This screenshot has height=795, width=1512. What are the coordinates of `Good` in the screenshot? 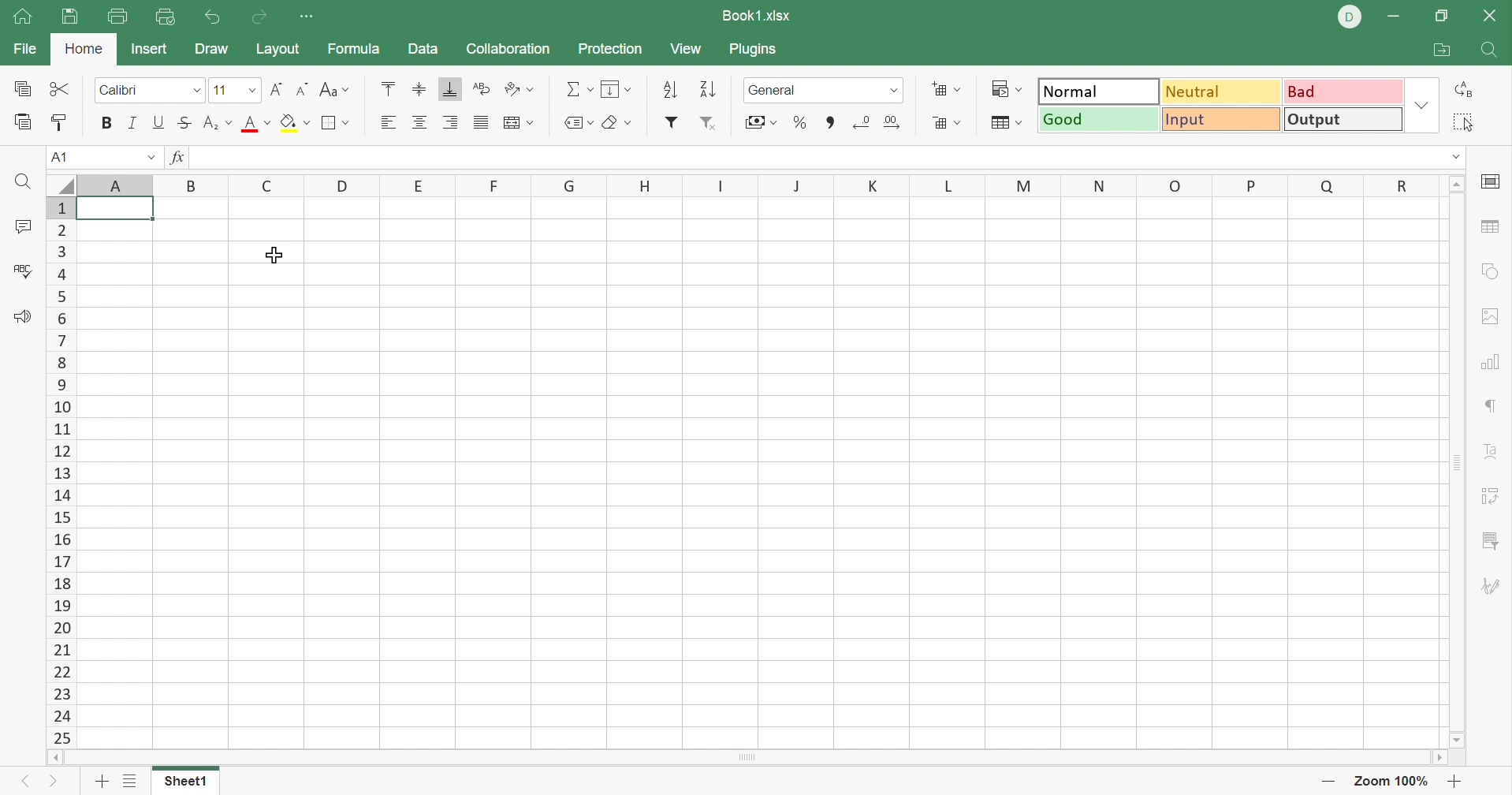 It's located at (1097, 118).